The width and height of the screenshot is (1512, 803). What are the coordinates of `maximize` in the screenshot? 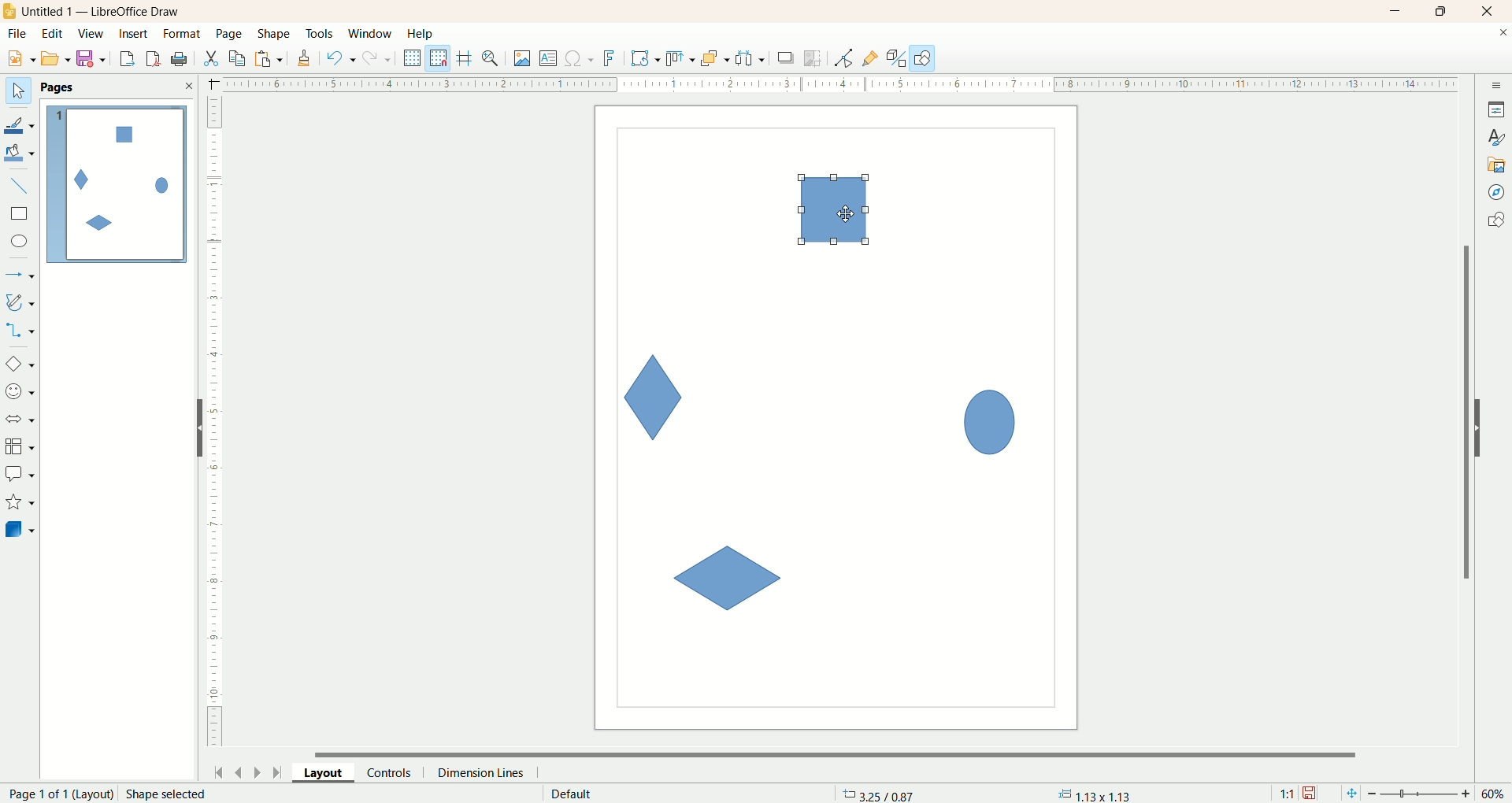 It's located at (1442, 11).